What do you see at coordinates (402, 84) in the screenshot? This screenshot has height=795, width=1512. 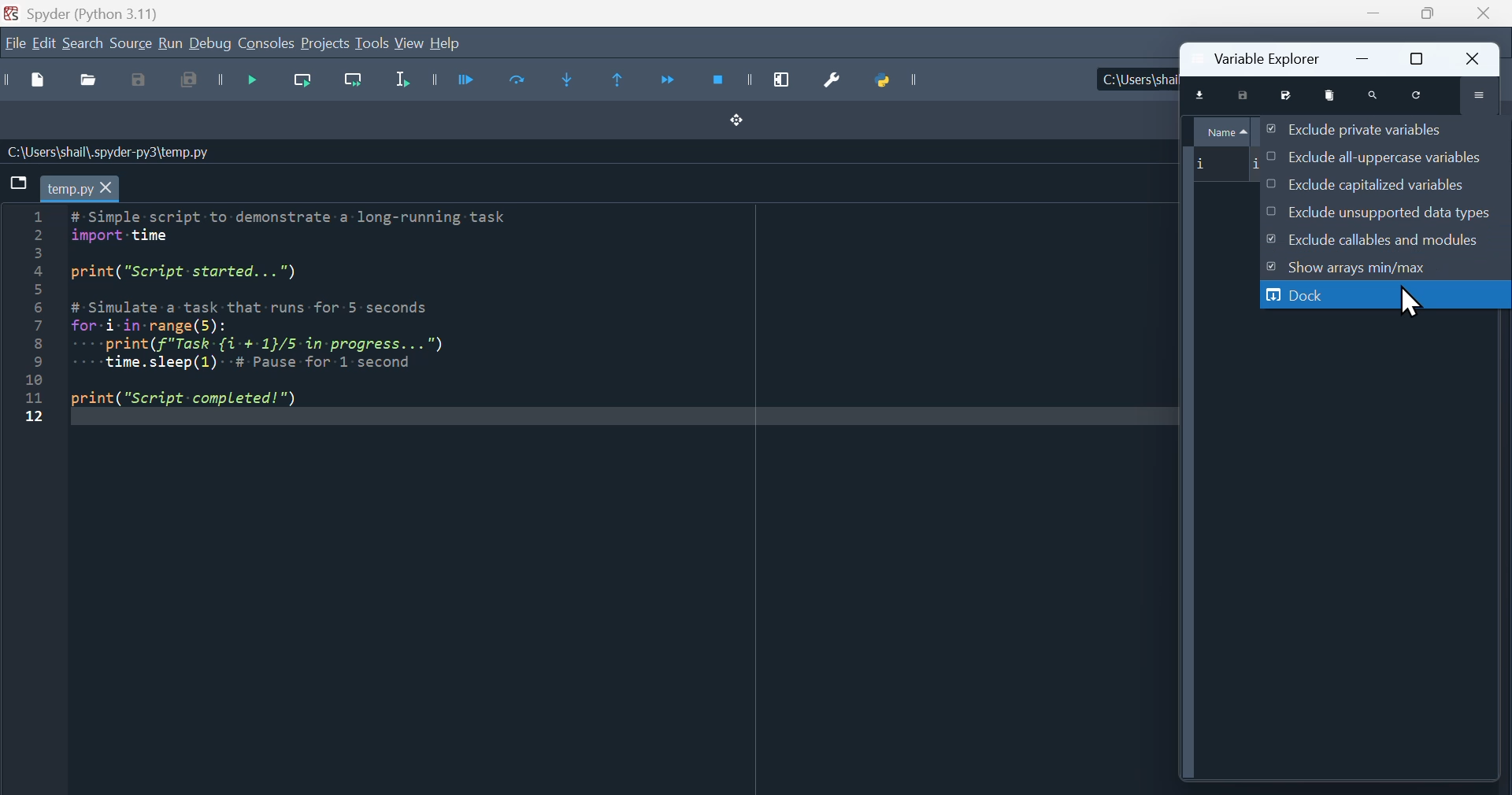 I see `Run selection` at bounding box center [402, 84].